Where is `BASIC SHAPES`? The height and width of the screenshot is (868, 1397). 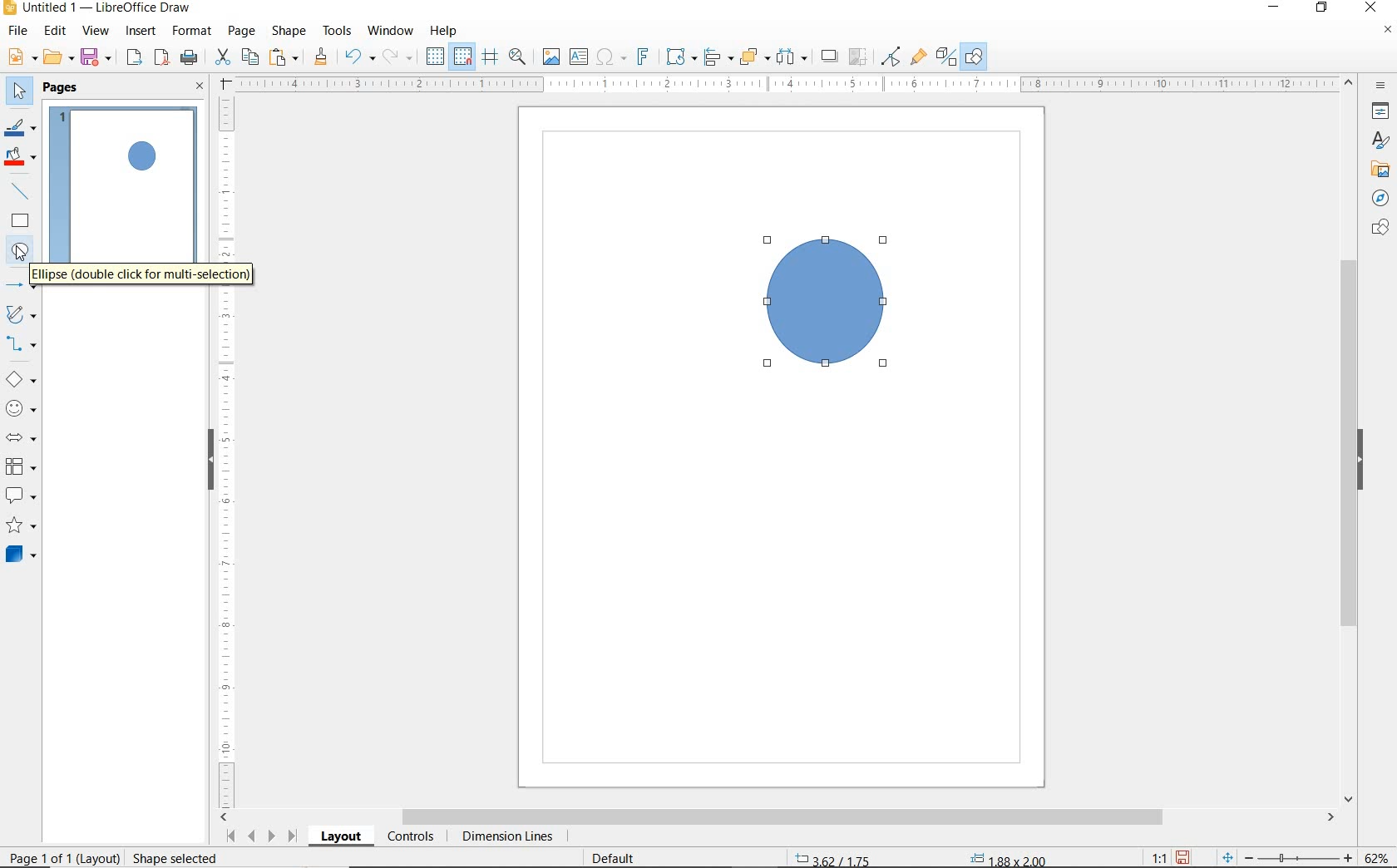
BASIC SHAPES is located at coordinates (22, 382).